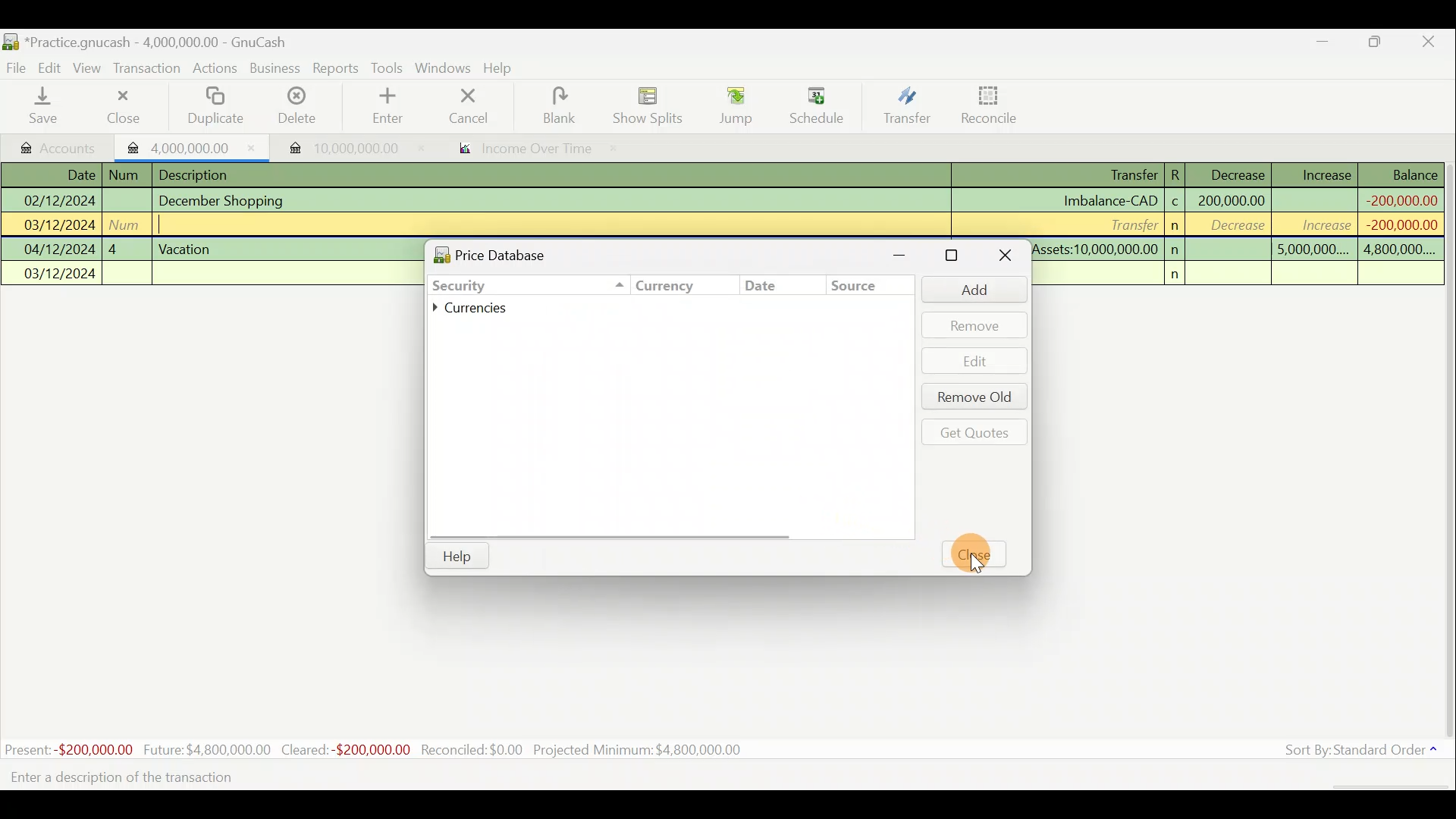 The image size is (1456, 819). What do you see at coordinates (1447, 454) in the screenshot?
I see `Scroll bar` at bounding box center [1447, 454].